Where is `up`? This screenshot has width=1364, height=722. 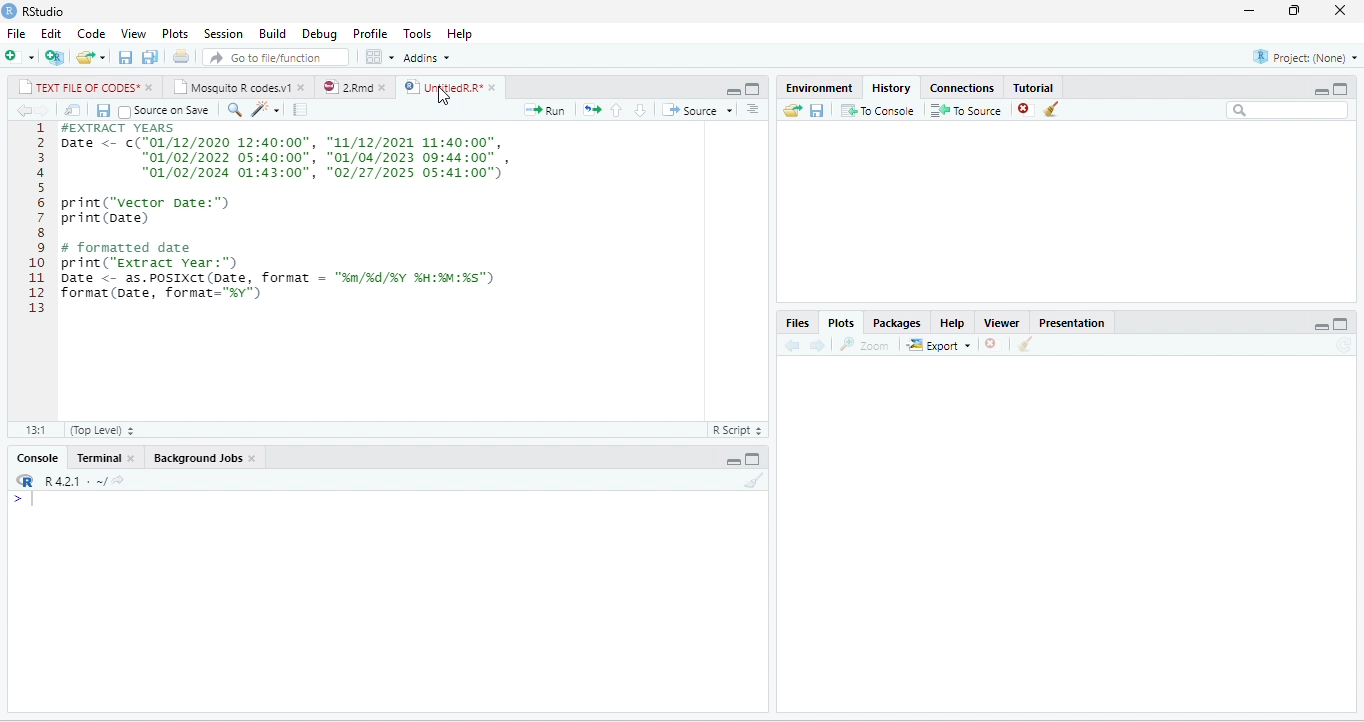 up is located at coordinates (616, 110).